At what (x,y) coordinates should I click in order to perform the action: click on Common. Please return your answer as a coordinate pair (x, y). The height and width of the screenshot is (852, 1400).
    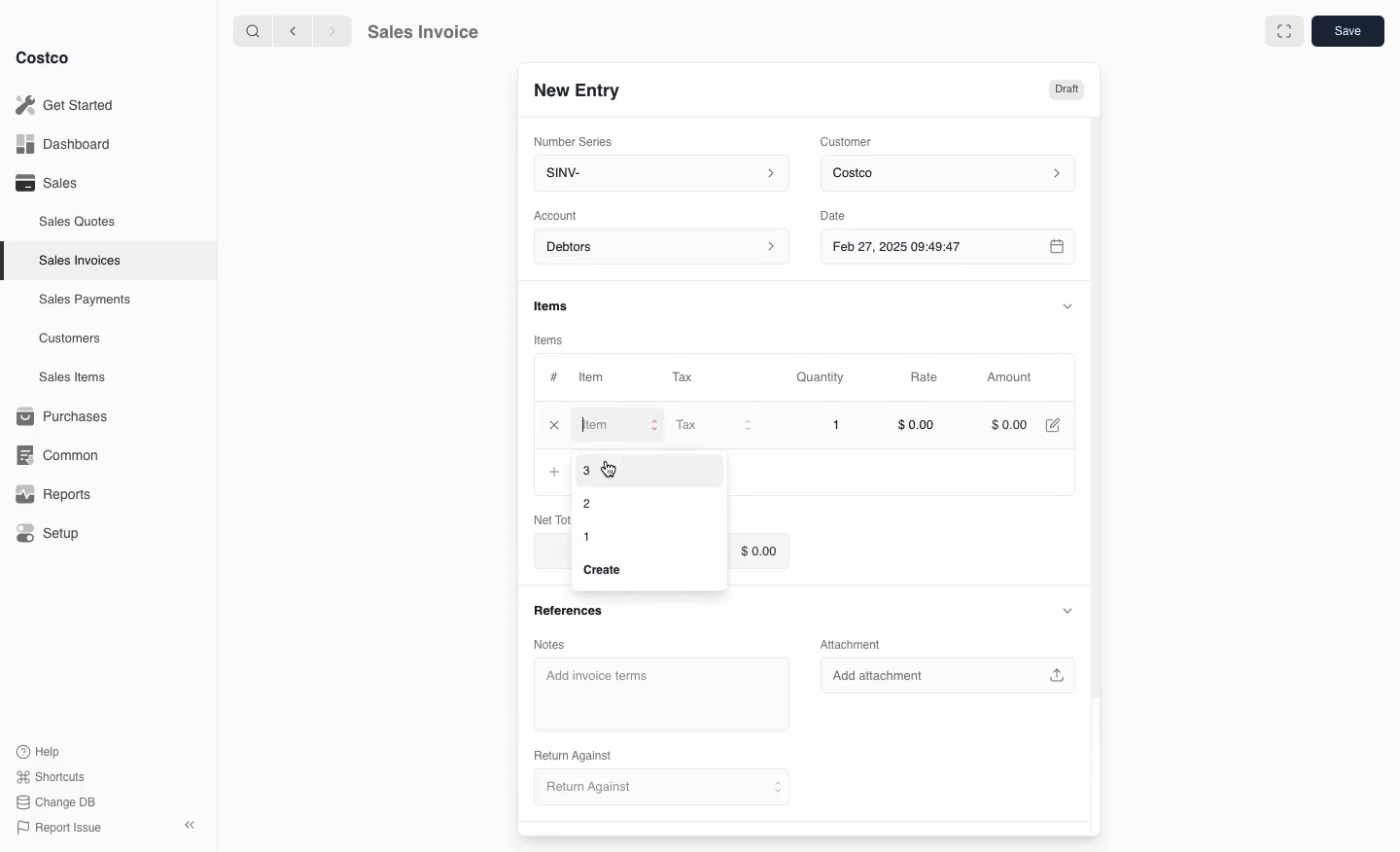
    Looking at the image, I should click on (53, 453).